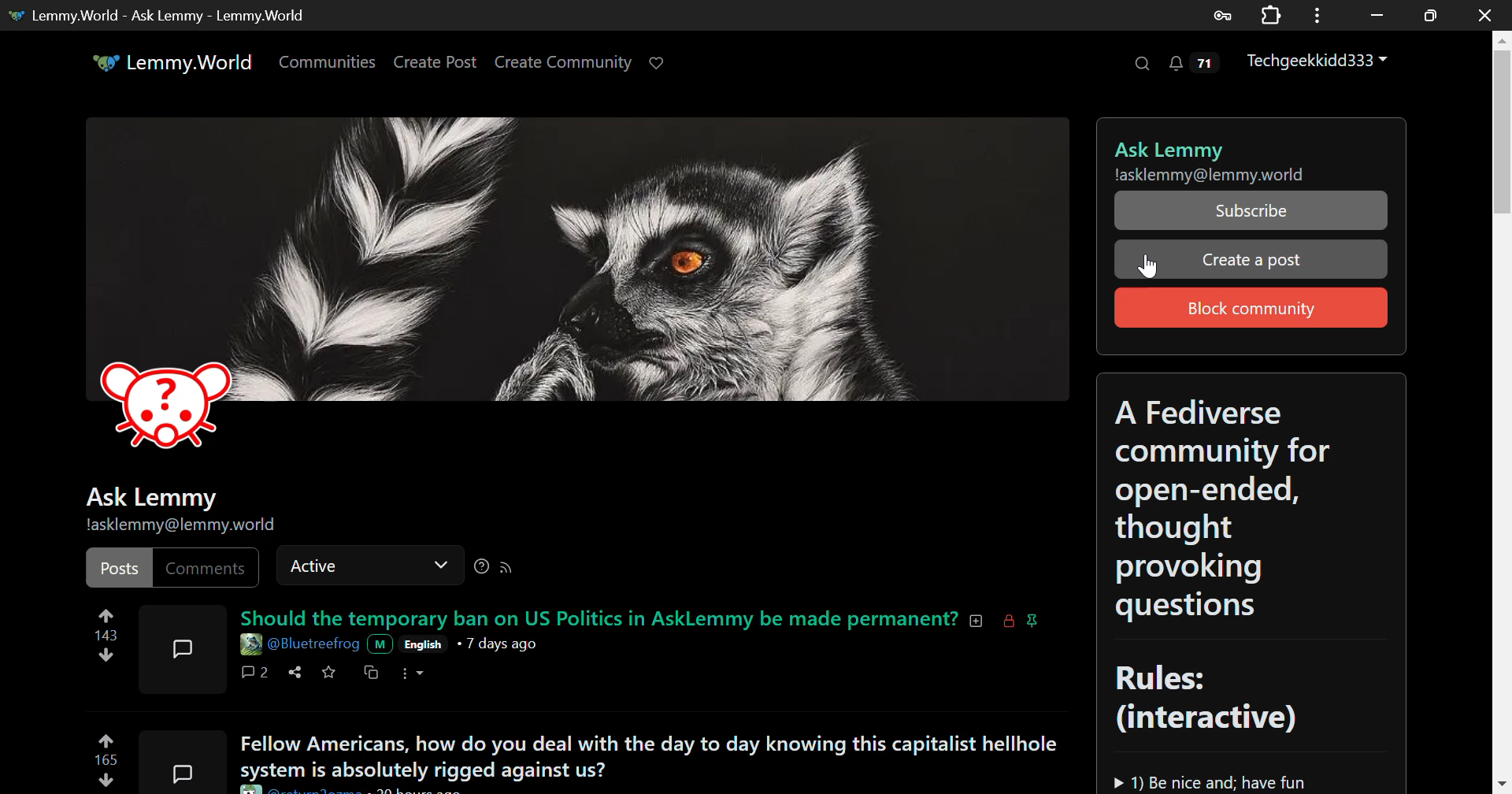 This screenshot has width=1512, height=794. Describe the element at coordinates (102, 632) in the screenshot. I see `Post Vote Counter` at that location.